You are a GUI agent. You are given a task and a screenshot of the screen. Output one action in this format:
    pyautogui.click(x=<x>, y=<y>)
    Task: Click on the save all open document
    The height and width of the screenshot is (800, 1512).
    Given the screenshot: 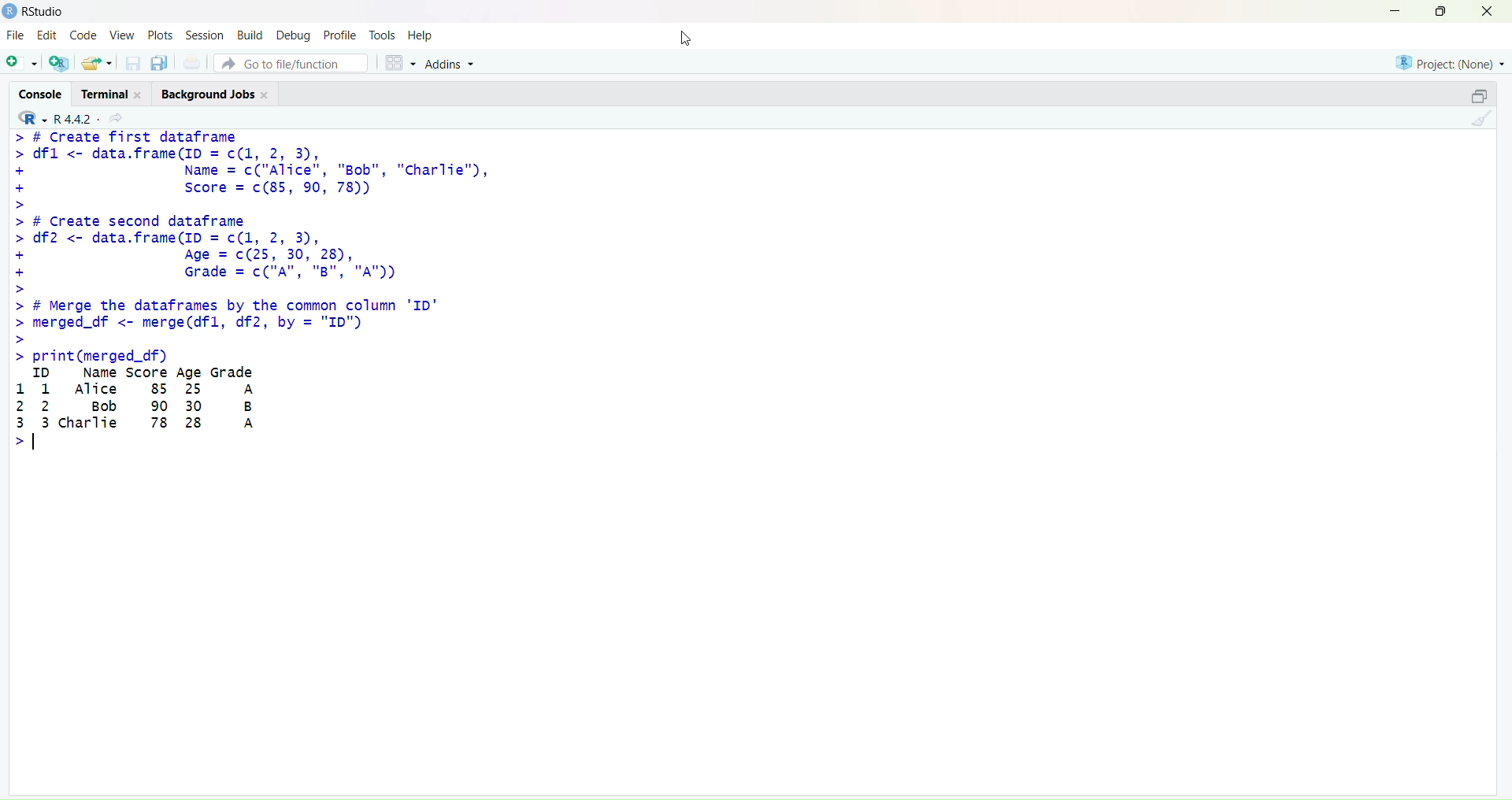 What is the action you would take?
    pyautogui.click(x=161, y=64)
    